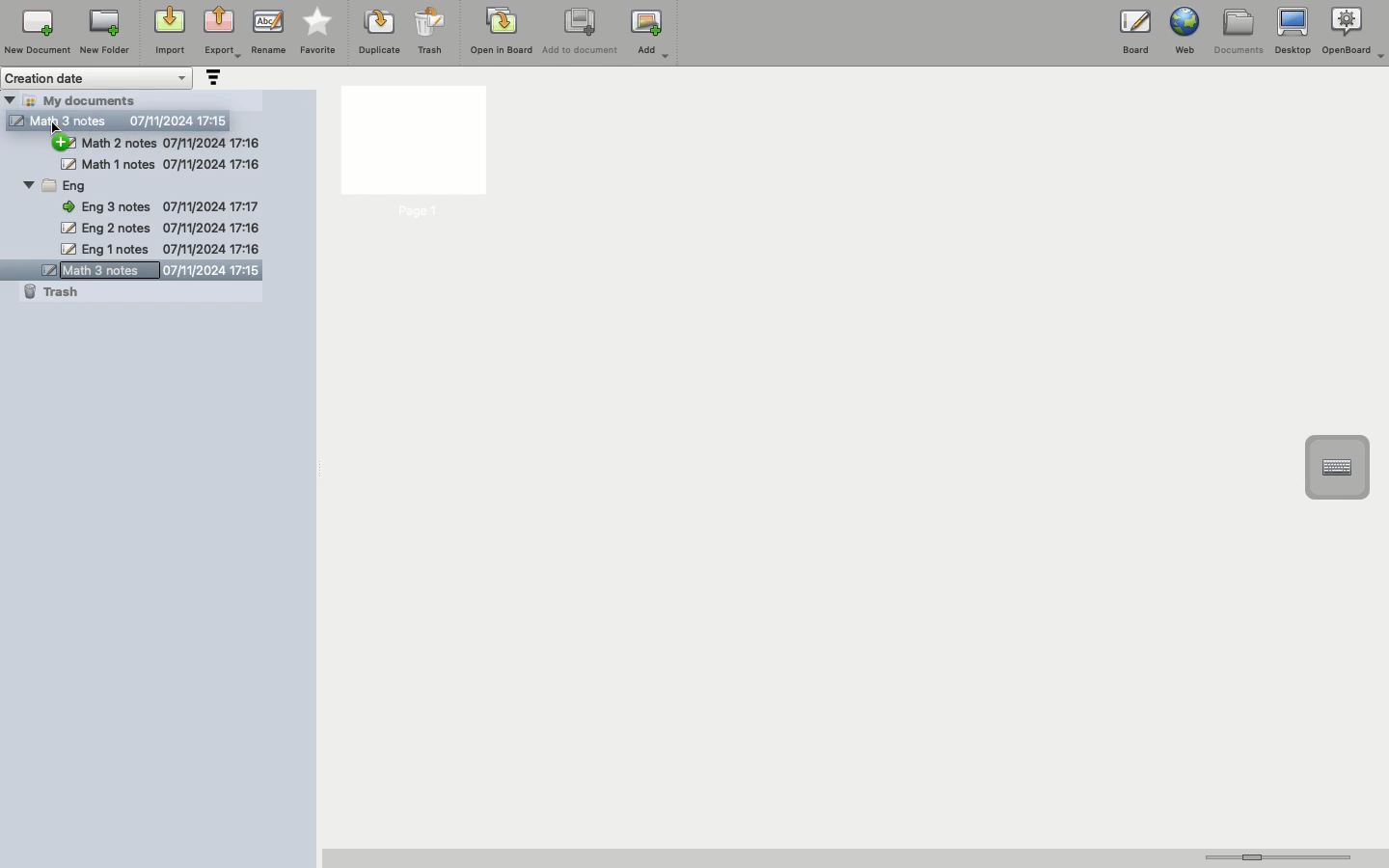 The width and height of the screenshot is (1389, 868). Describe the element at coordinates (159, 249) in the screenshot. I see `Eng 1 notes` at that location.